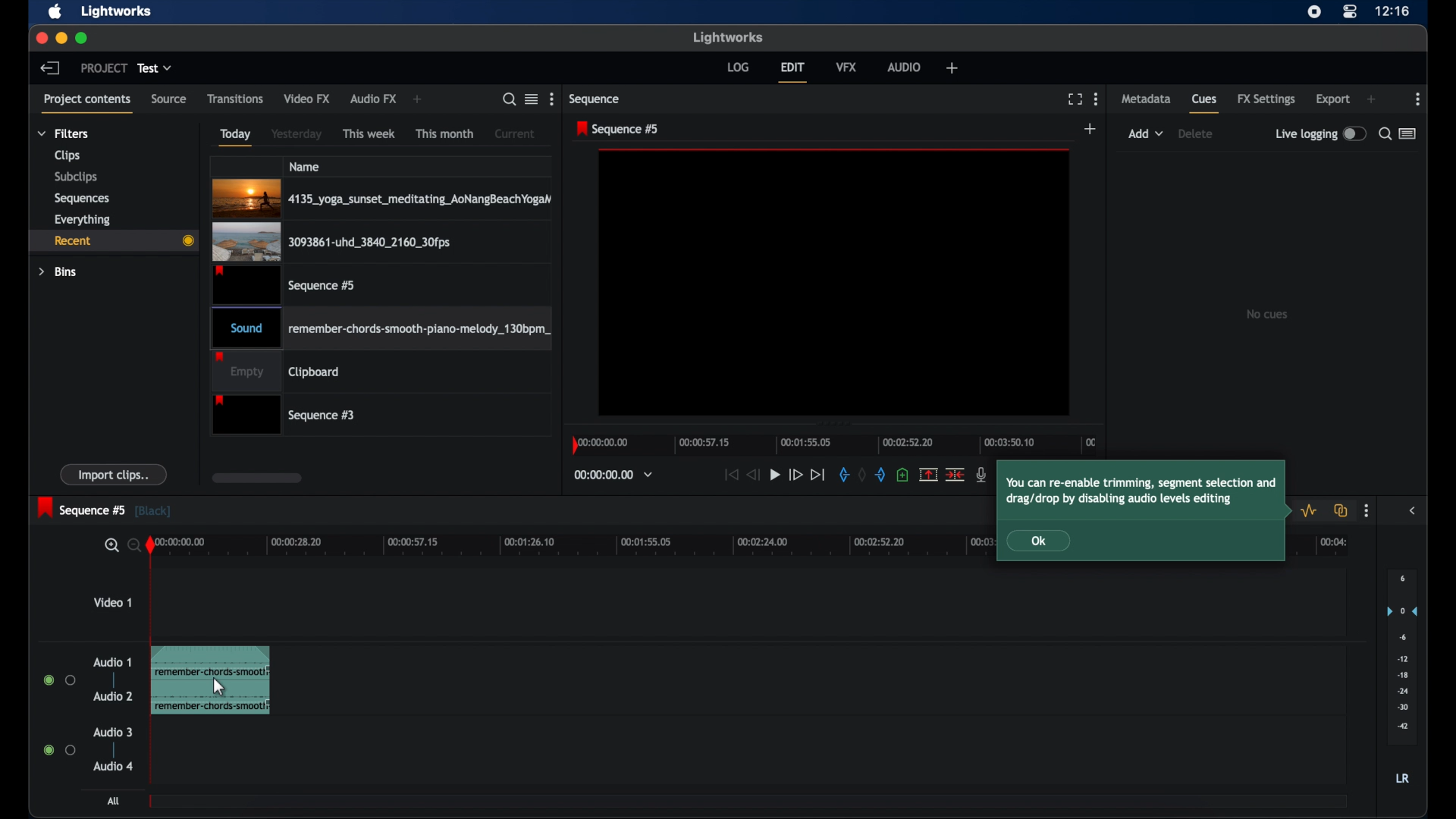  What do you see at coordinates (1414, 510) in the screenshot?
I see `sidebar` at bounding box center [1414, 510].